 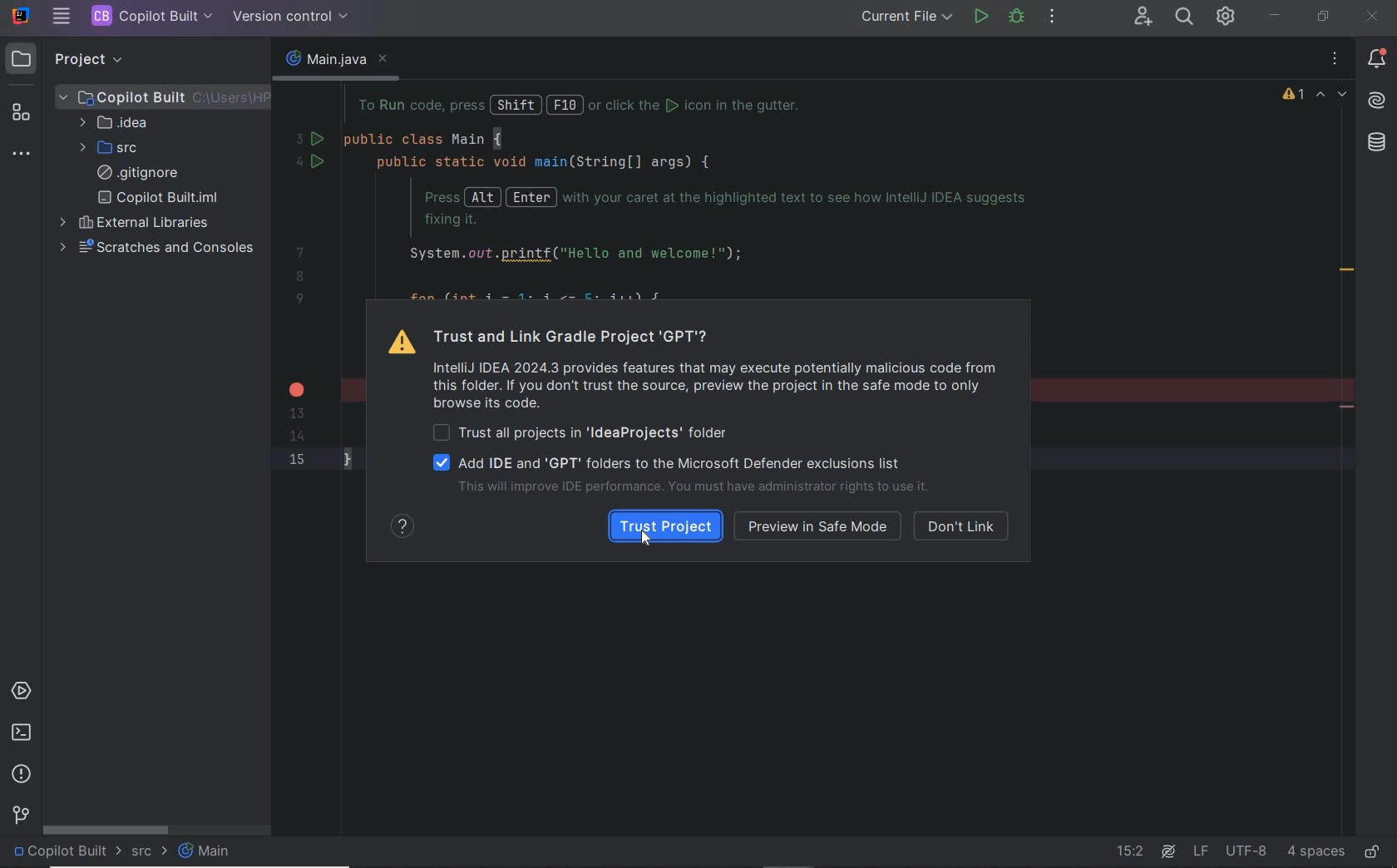 I want to click on 14, so click(x=298, y=436).